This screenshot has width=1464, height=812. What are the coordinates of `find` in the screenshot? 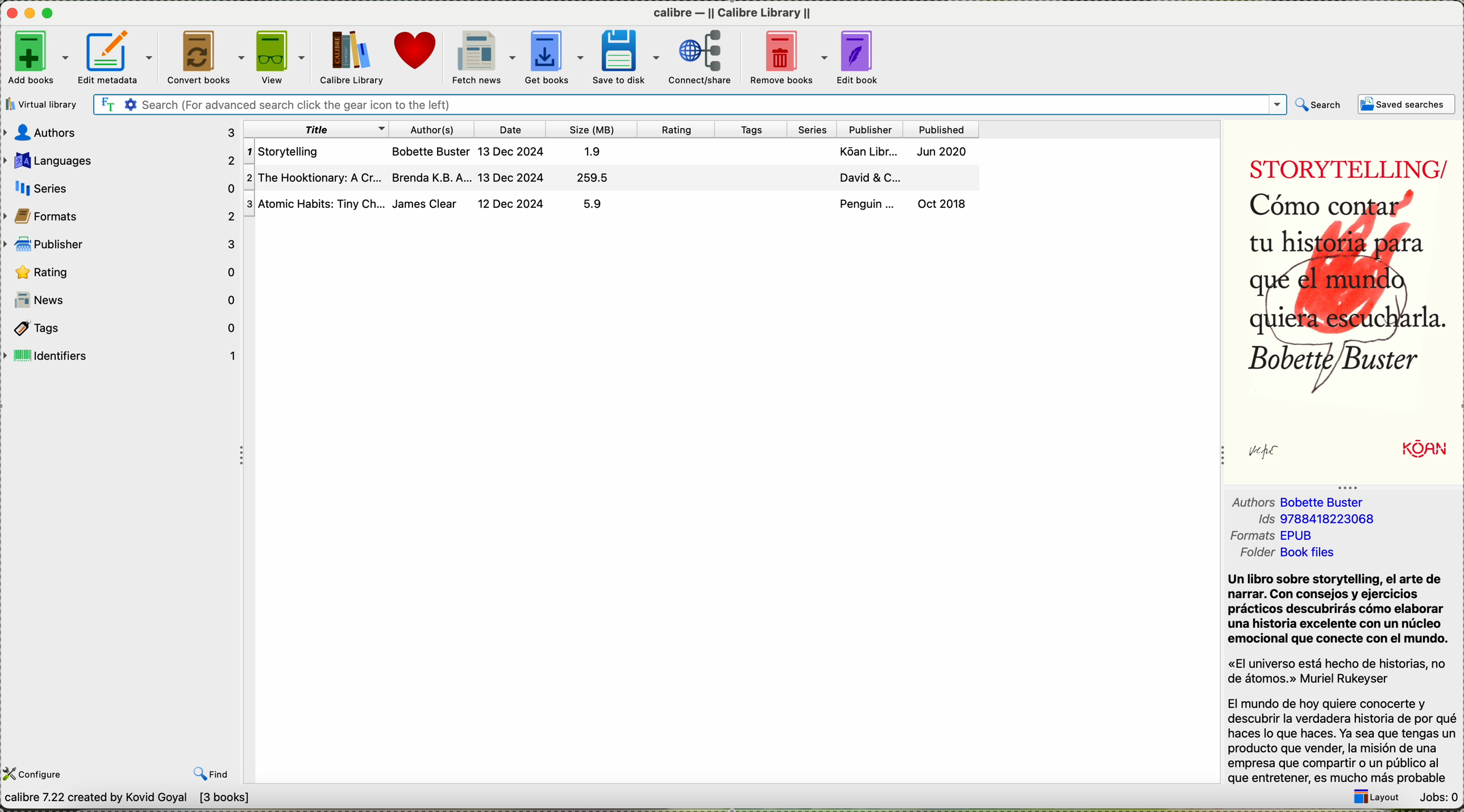 It's located at (211, 774).